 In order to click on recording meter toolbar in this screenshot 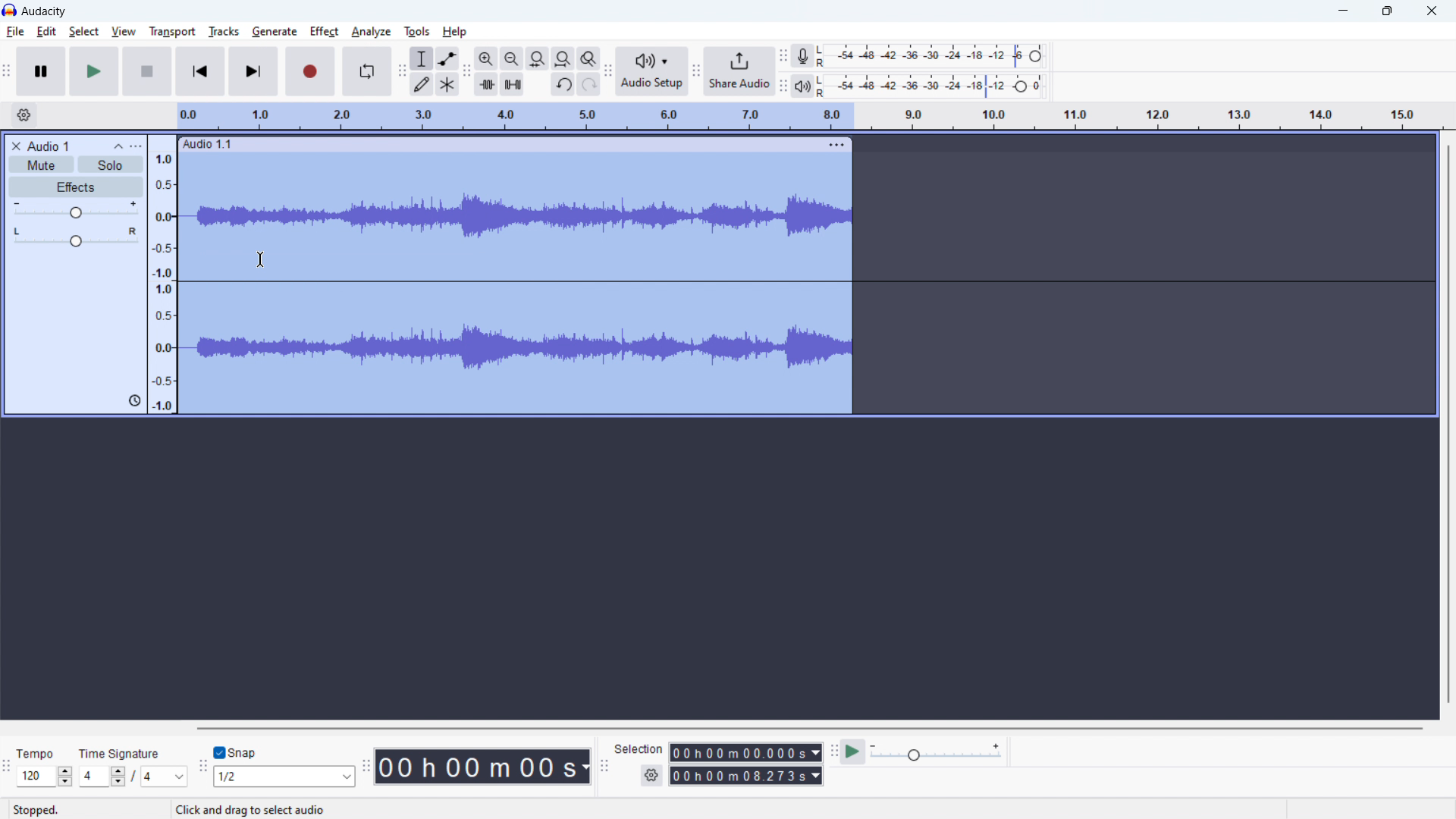, I will do `click(783, 56)`.